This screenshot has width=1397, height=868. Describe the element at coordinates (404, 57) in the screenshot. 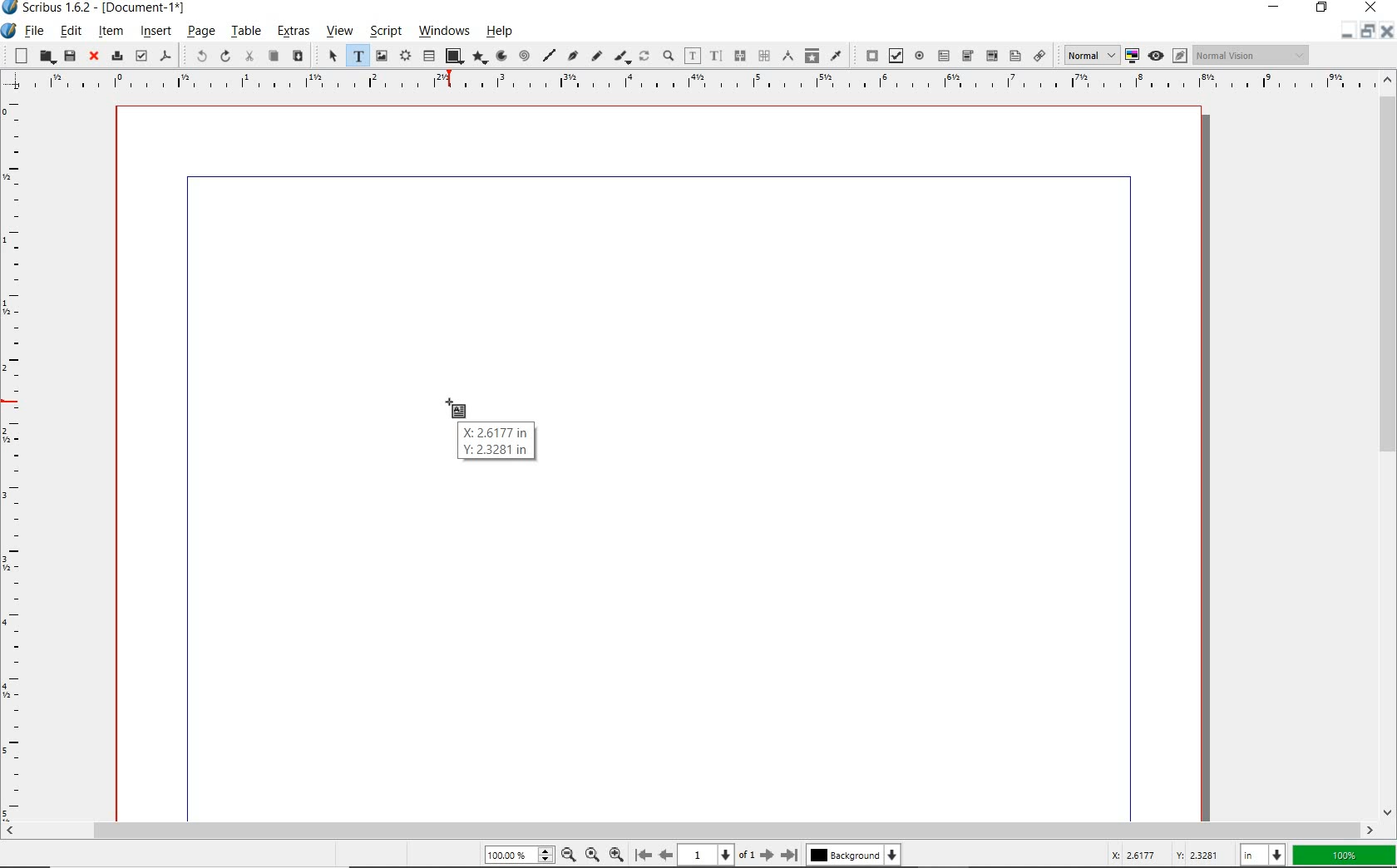

I see `render frame` at that location.